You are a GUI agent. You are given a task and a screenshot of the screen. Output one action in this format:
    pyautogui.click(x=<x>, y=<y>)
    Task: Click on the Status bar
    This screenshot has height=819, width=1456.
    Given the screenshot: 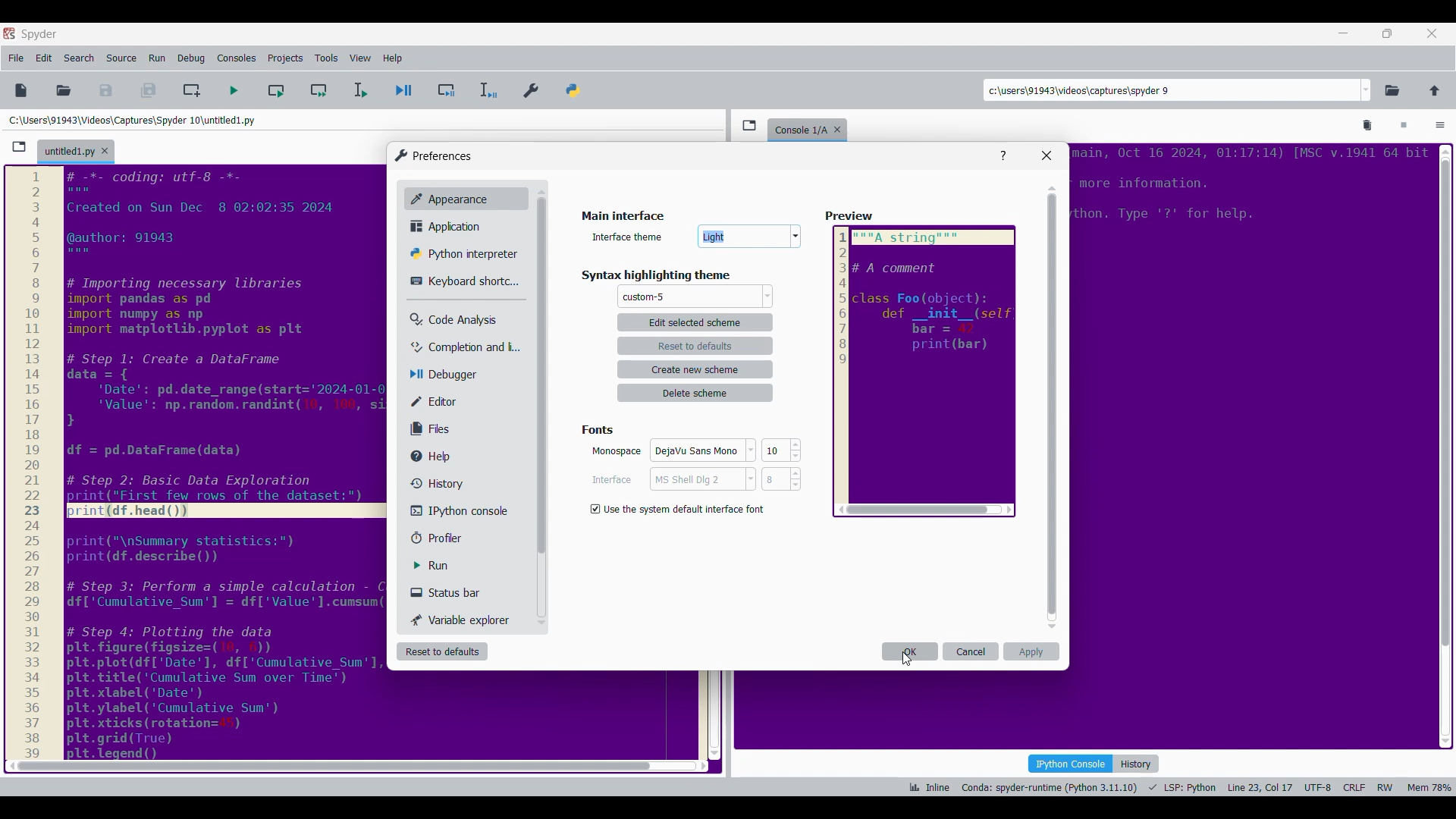 What is the action you would take?
    pyautogui.click(x=451, y=592)
    